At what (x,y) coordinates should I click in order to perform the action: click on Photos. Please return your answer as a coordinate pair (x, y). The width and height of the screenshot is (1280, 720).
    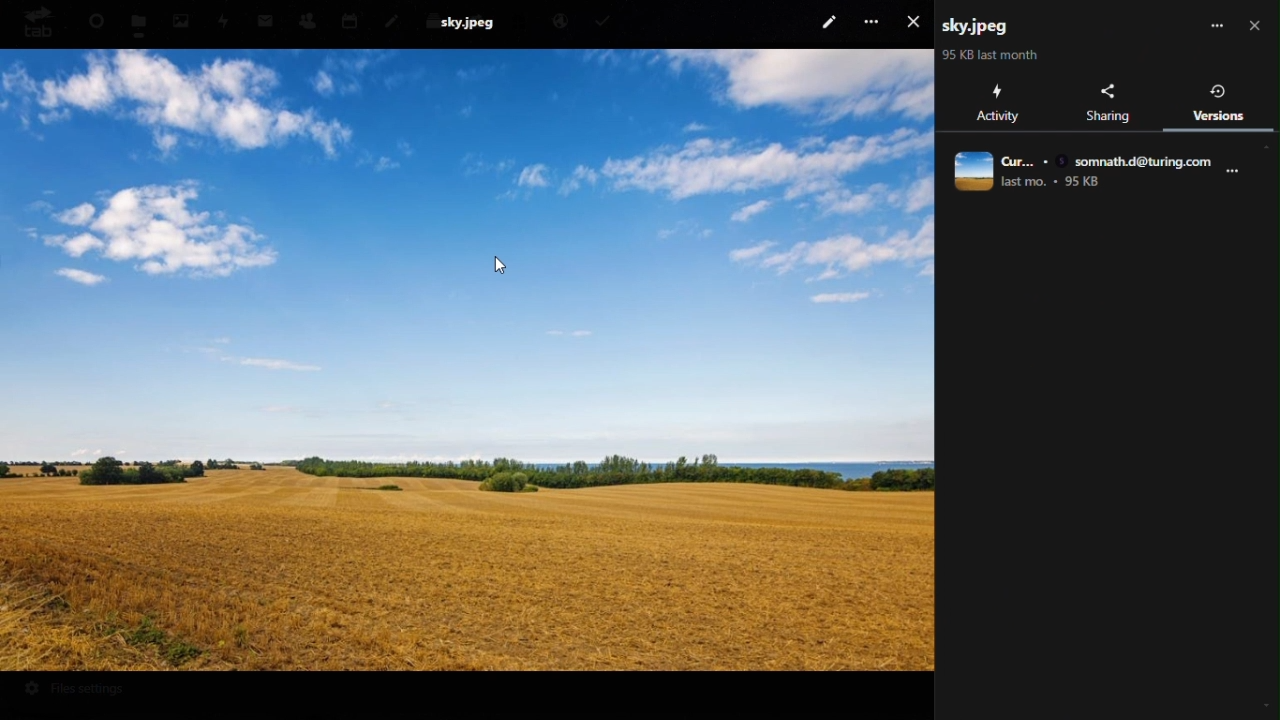
    Looking at the image, I should click on (181, 19).